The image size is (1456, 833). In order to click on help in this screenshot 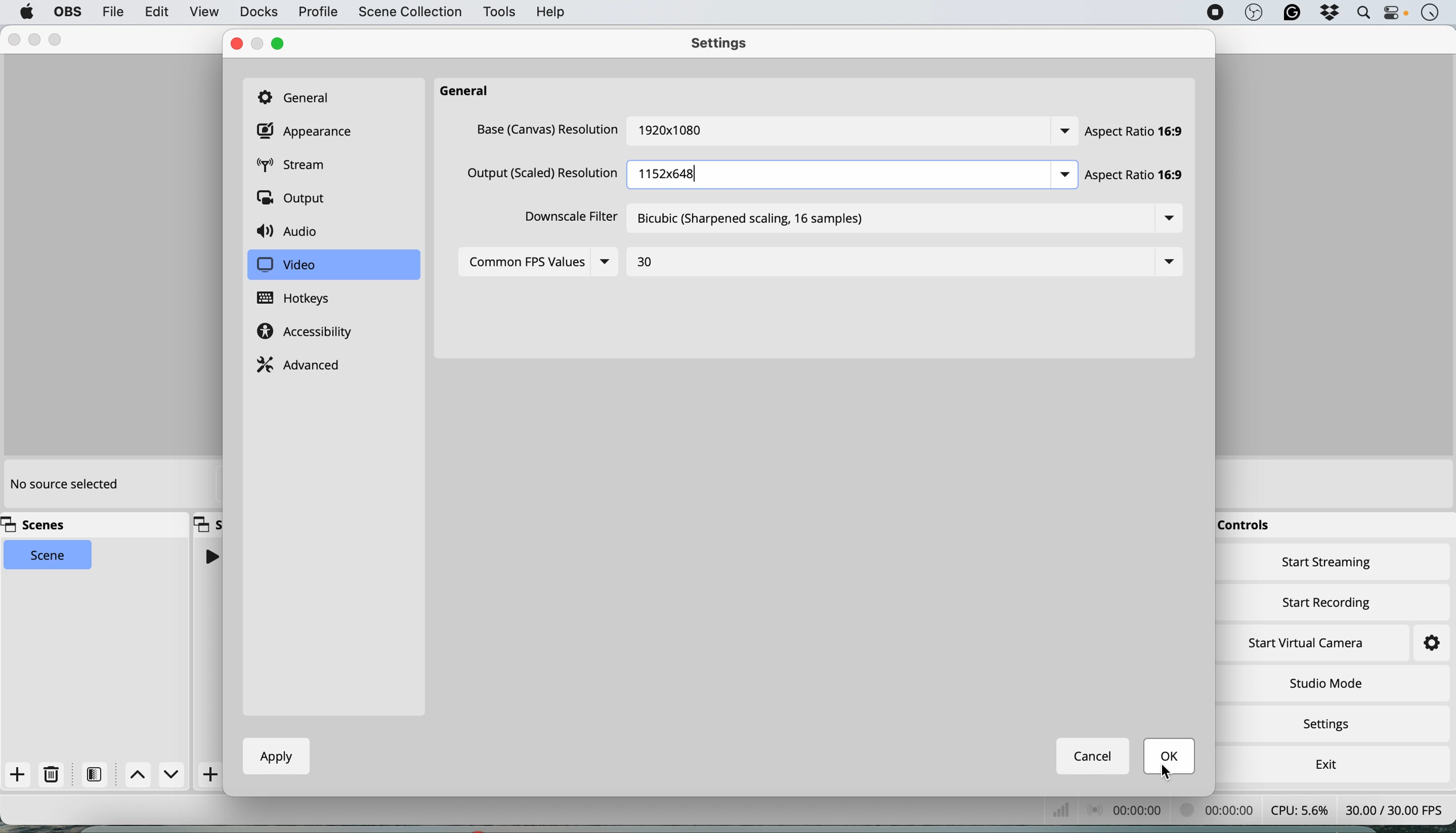, I will do `click(552, 11)`.